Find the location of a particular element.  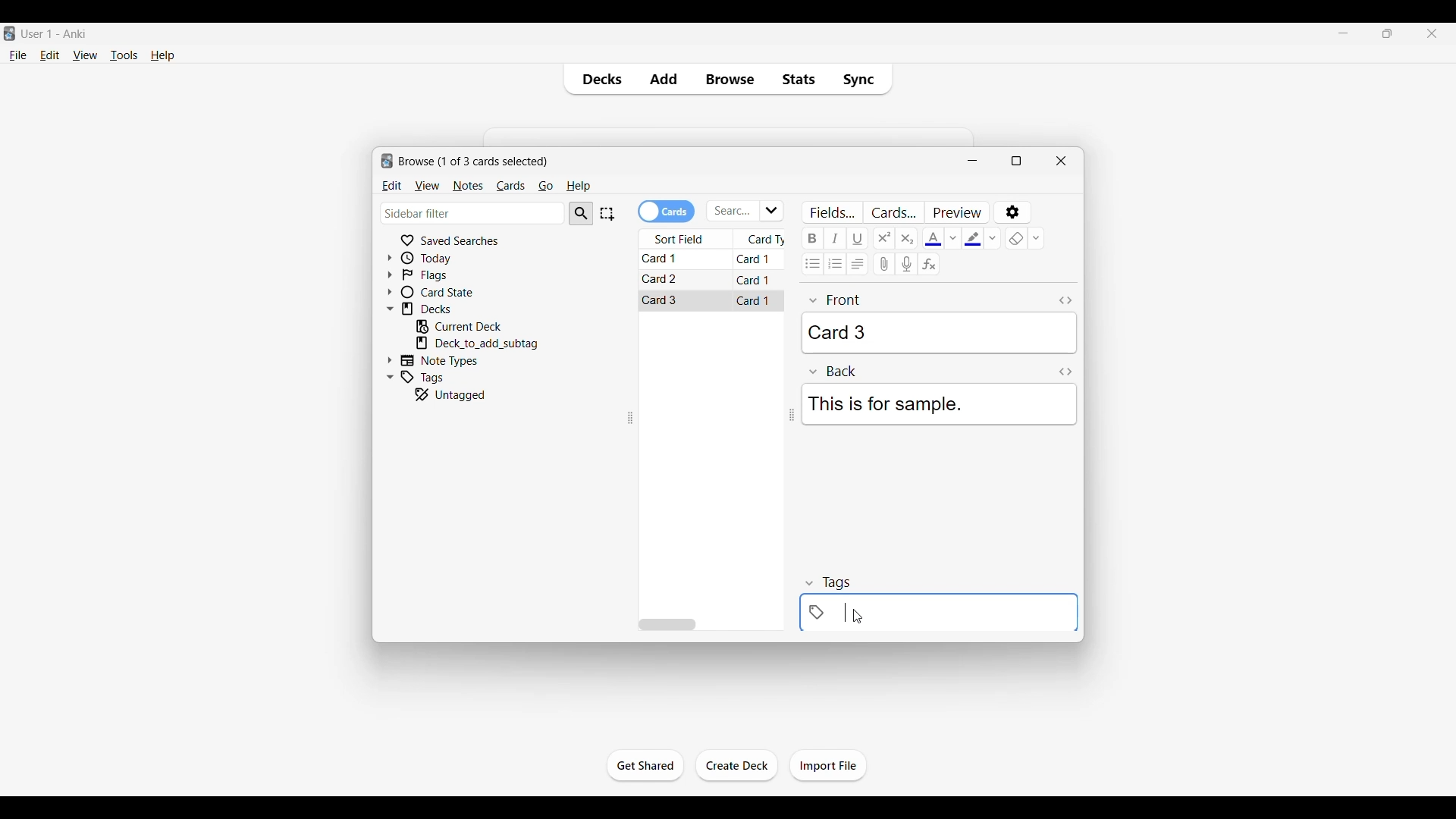

Number of cards to browse and window name is located at coordinates (473, 162).